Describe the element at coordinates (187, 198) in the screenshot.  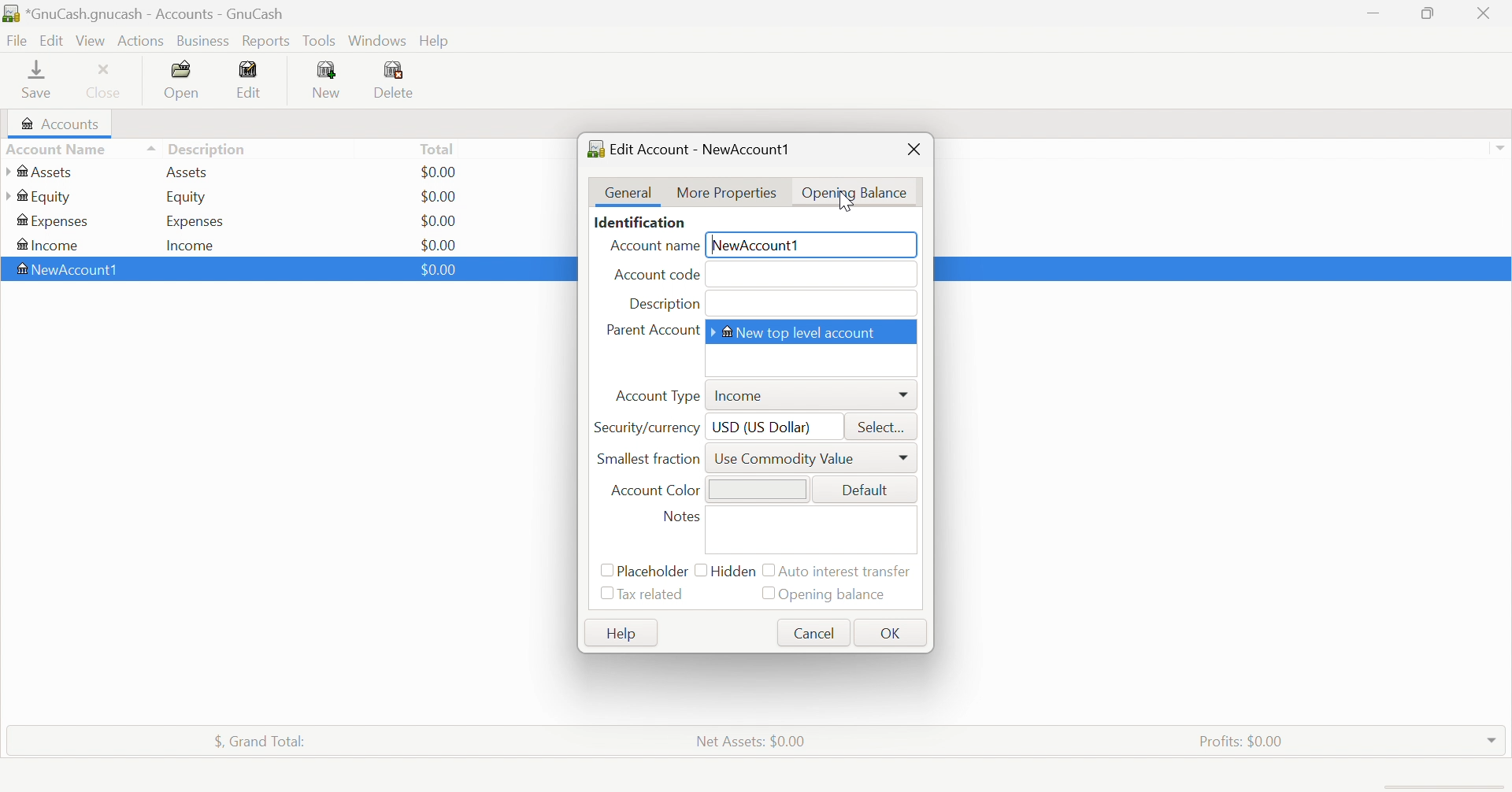
I see `Equity` at that location.